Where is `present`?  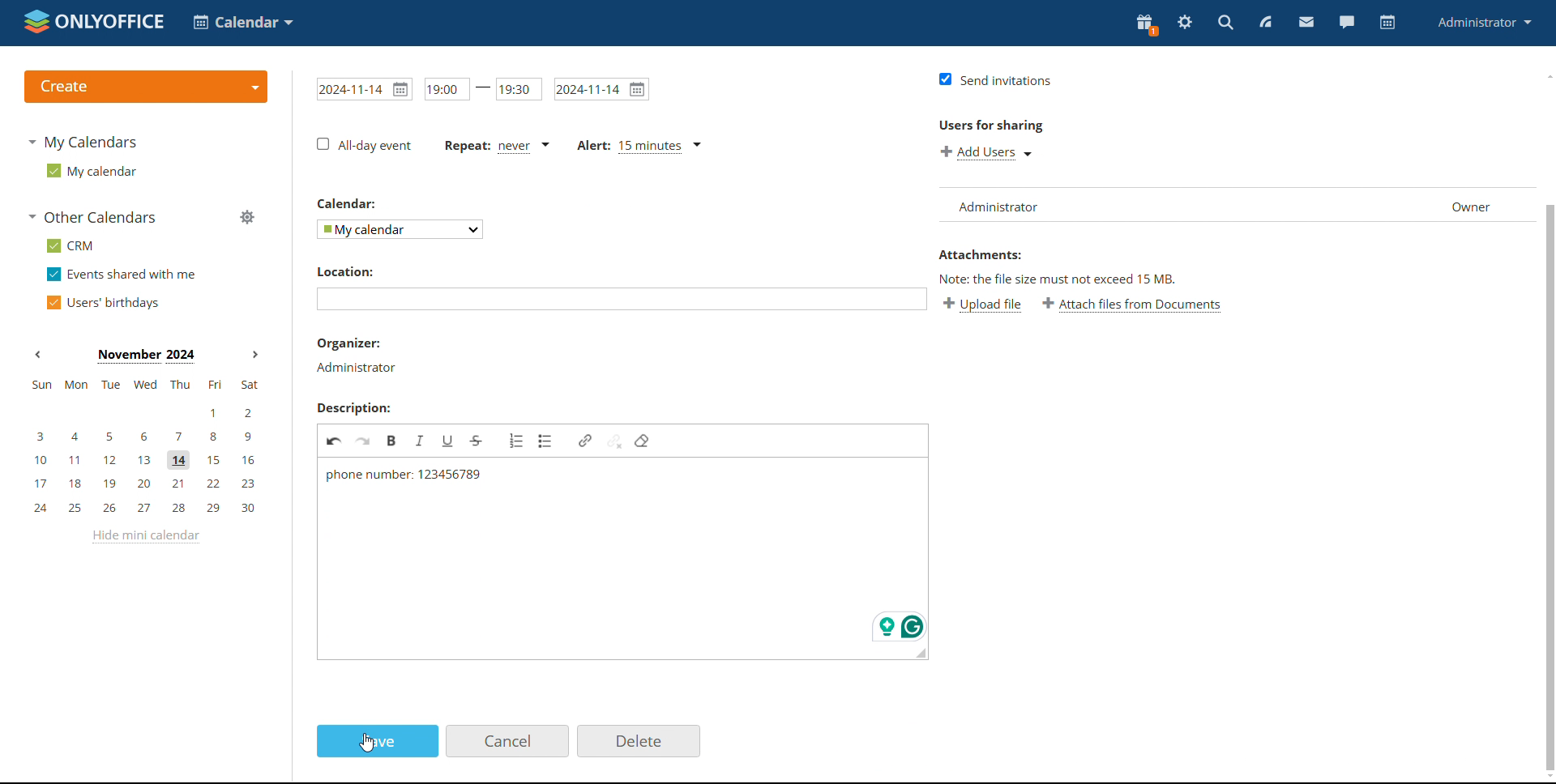 present is located at coordinates (1145, 24).